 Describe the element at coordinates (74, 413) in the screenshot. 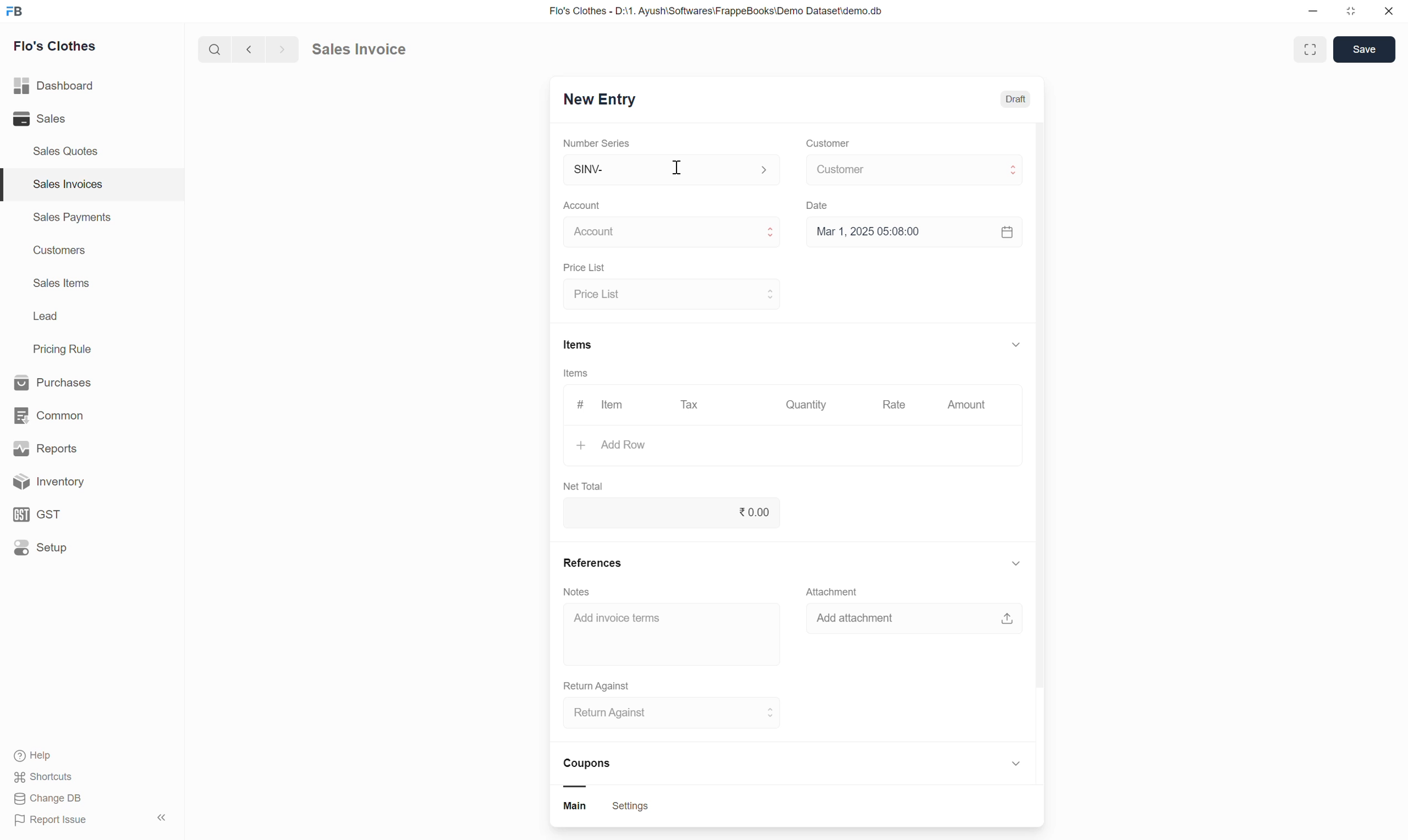

I see `common` at that location.